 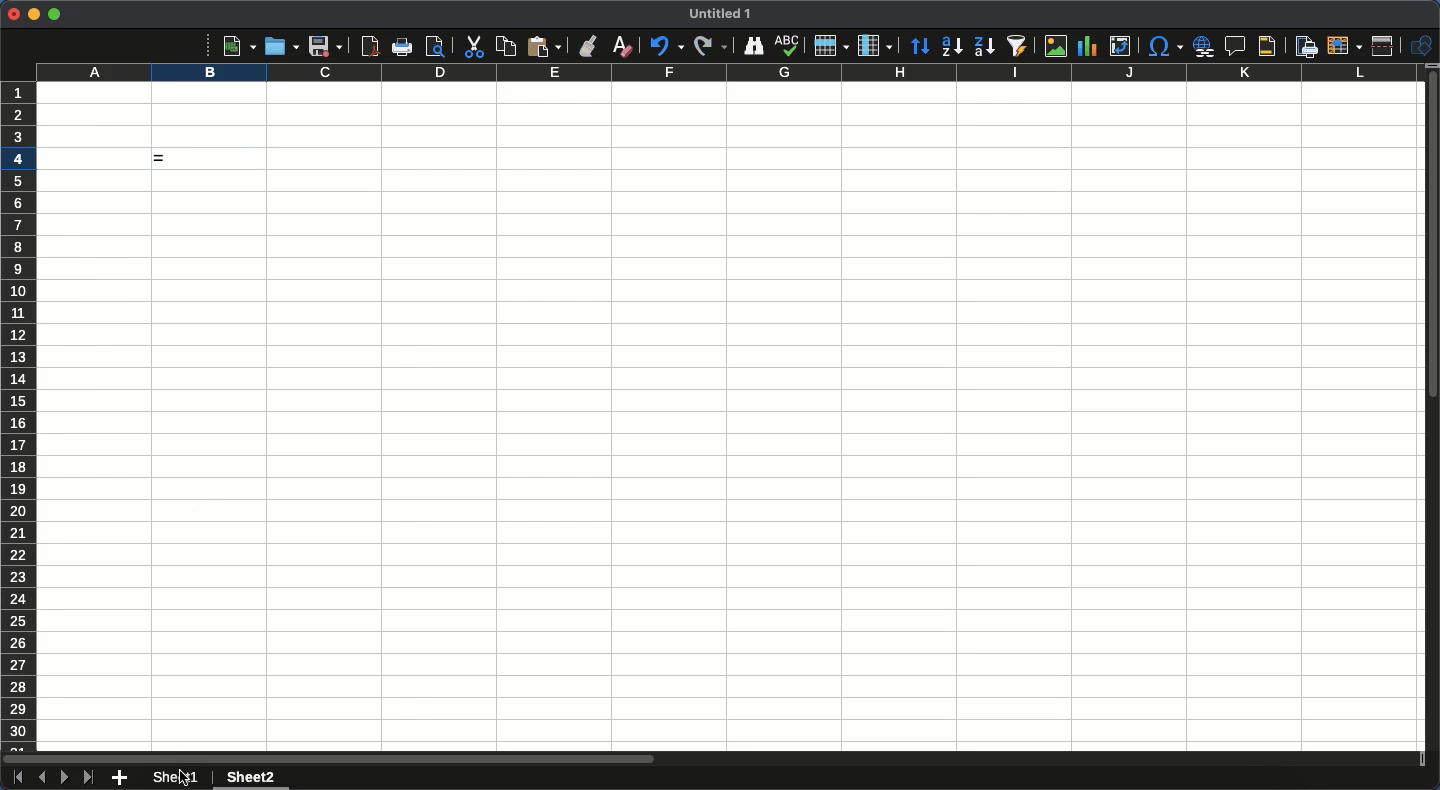 I want to click on Chart, so click(x=1085, y=48).